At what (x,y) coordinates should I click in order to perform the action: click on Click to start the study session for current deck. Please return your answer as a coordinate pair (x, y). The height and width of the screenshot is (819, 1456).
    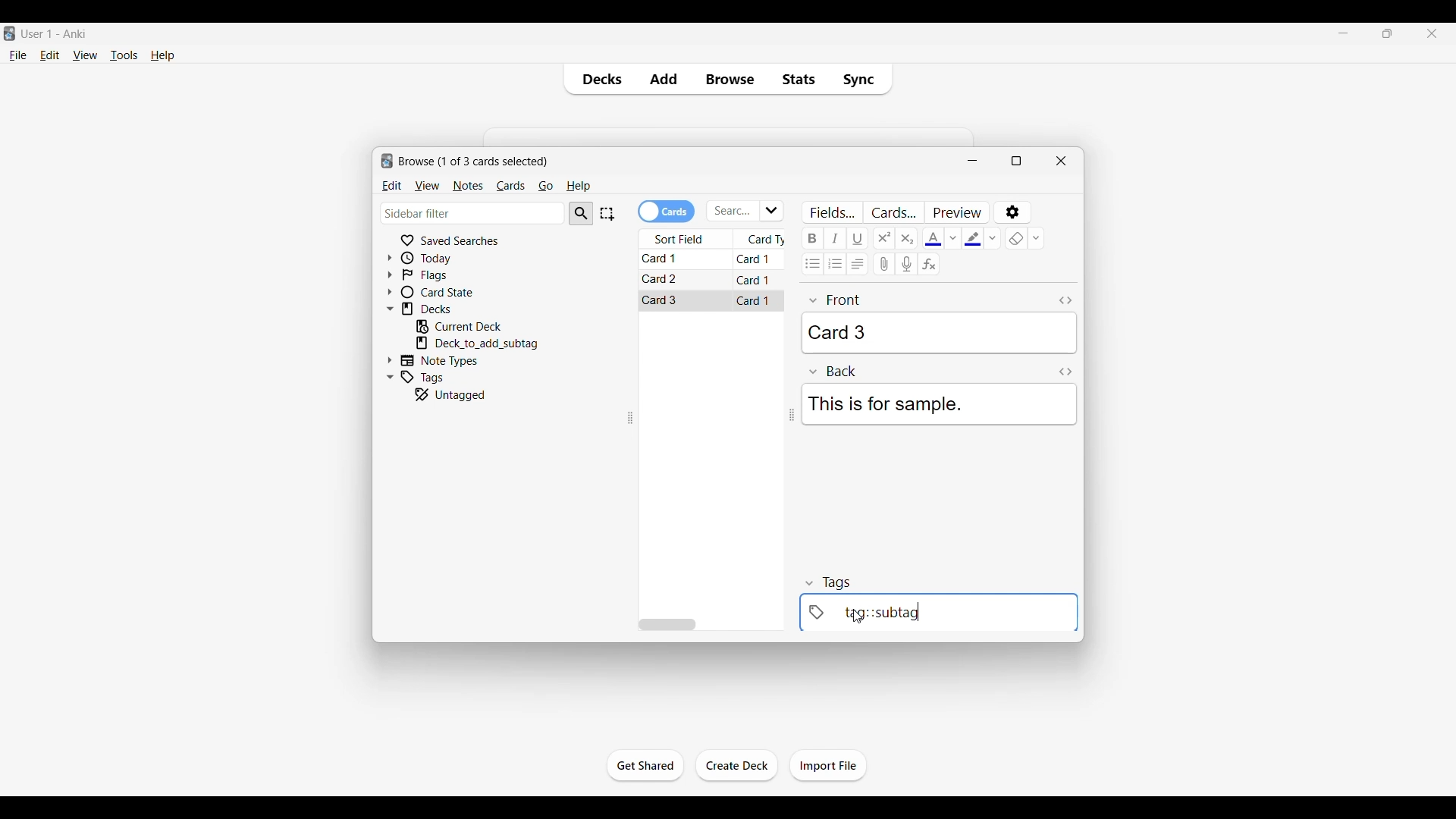
    Looking at the image, I should click on (645, 766).